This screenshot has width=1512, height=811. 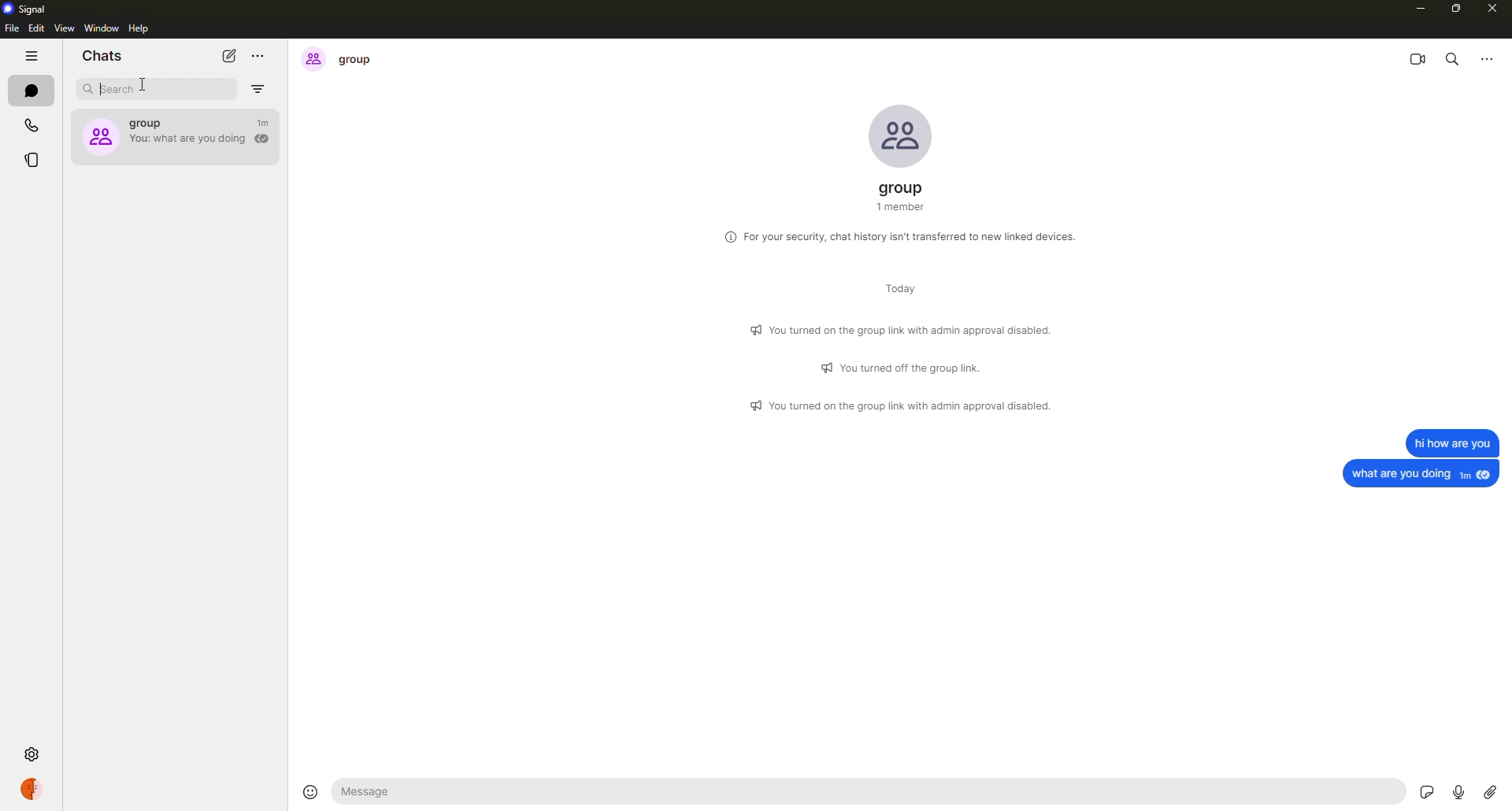 I want to click on minimize, so click(x=1416, y=8).